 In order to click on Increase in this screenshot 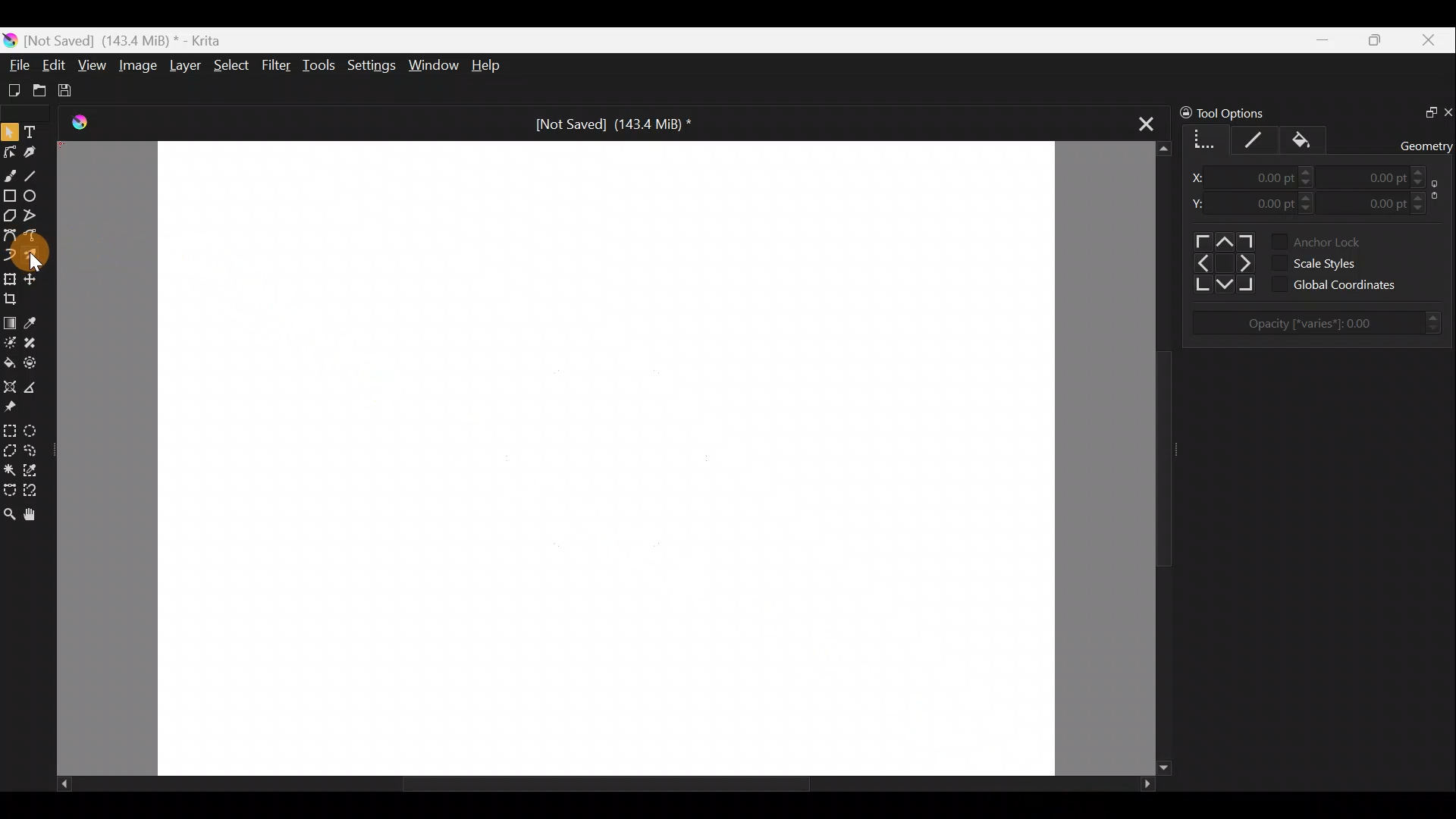, I will do `click(1421, 196)`.